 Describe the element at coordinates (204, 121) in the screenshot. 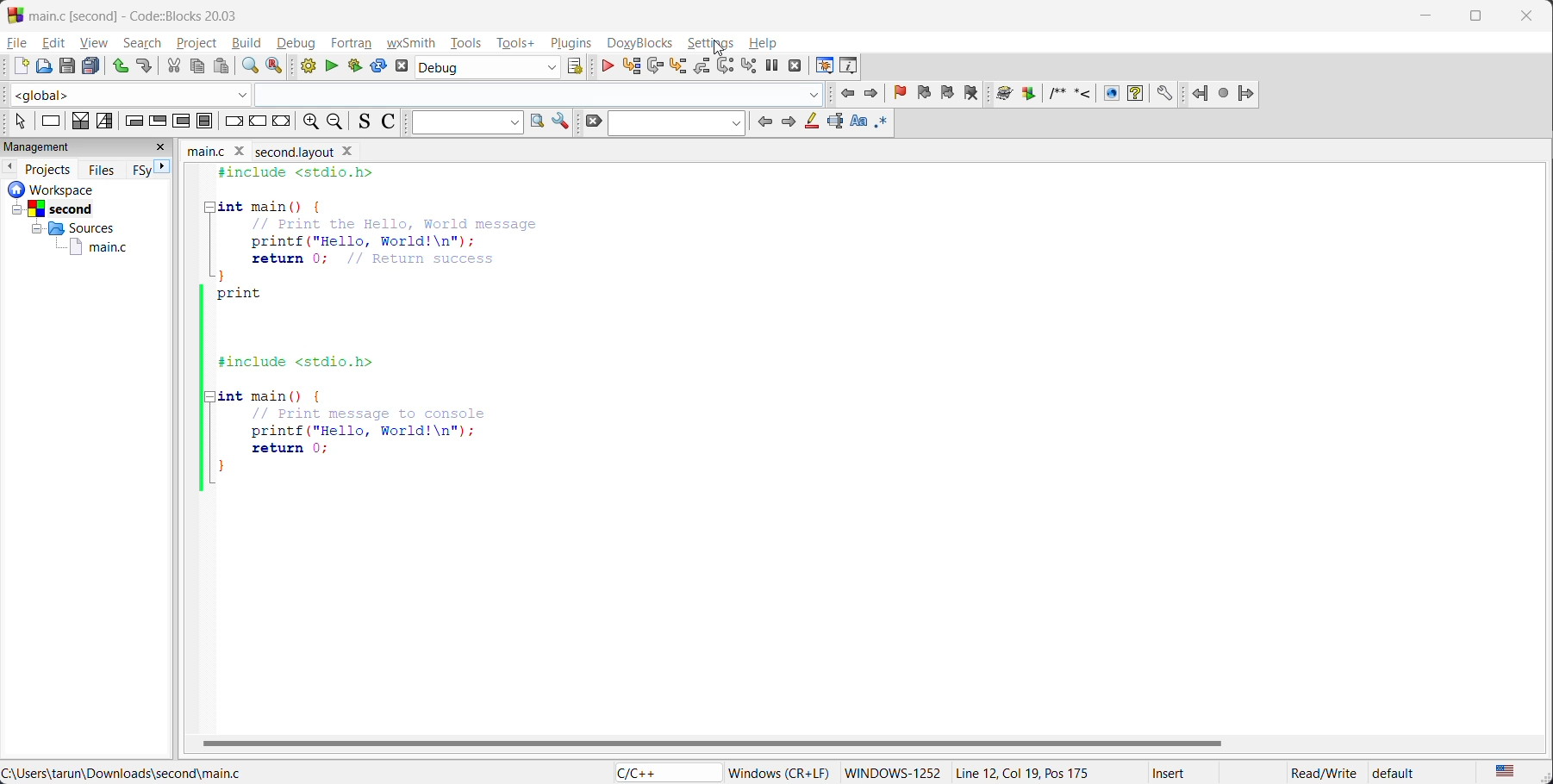

I see `block instruction` at that location.